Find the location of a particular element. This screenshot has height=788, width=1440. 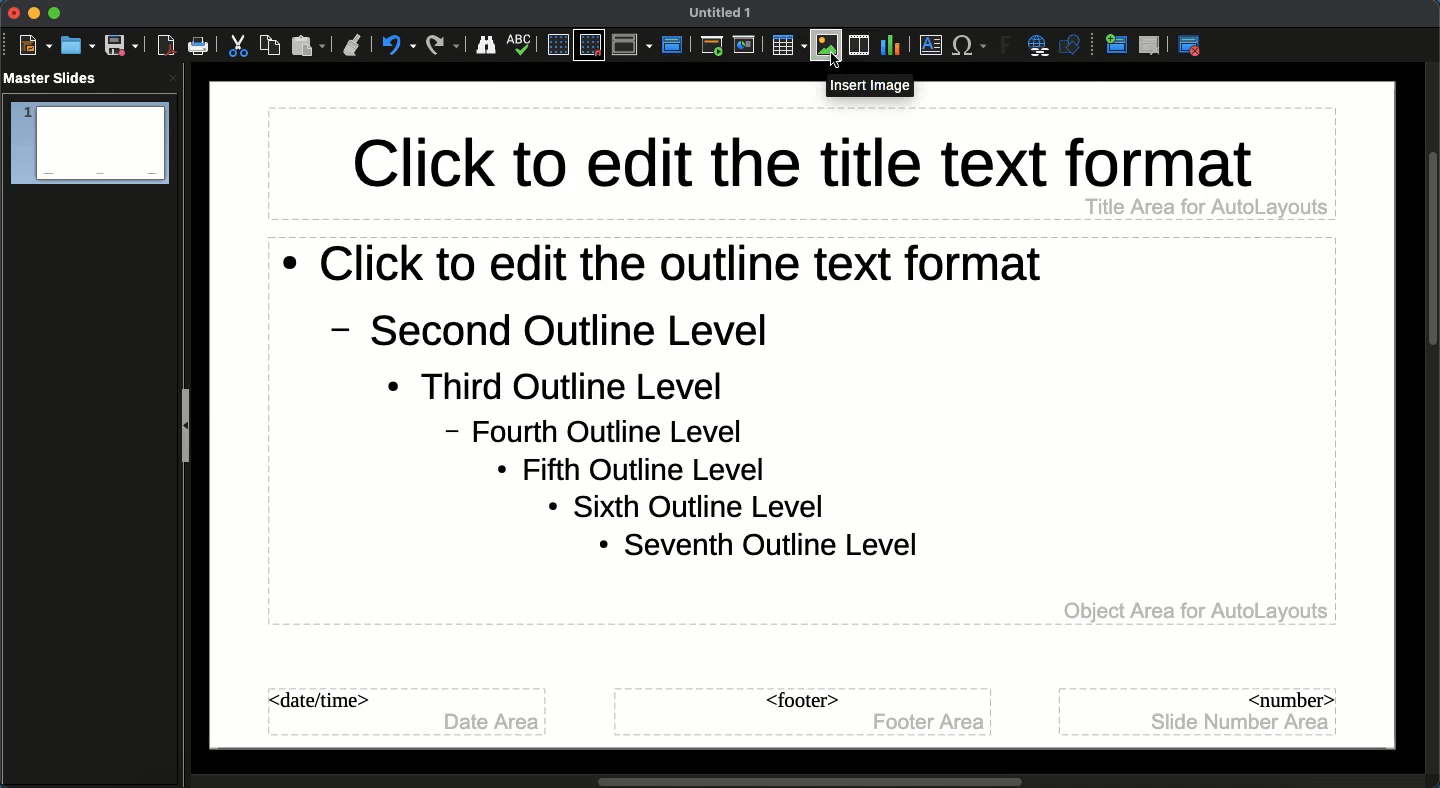

Textbox is located at coordinates (929, 46).